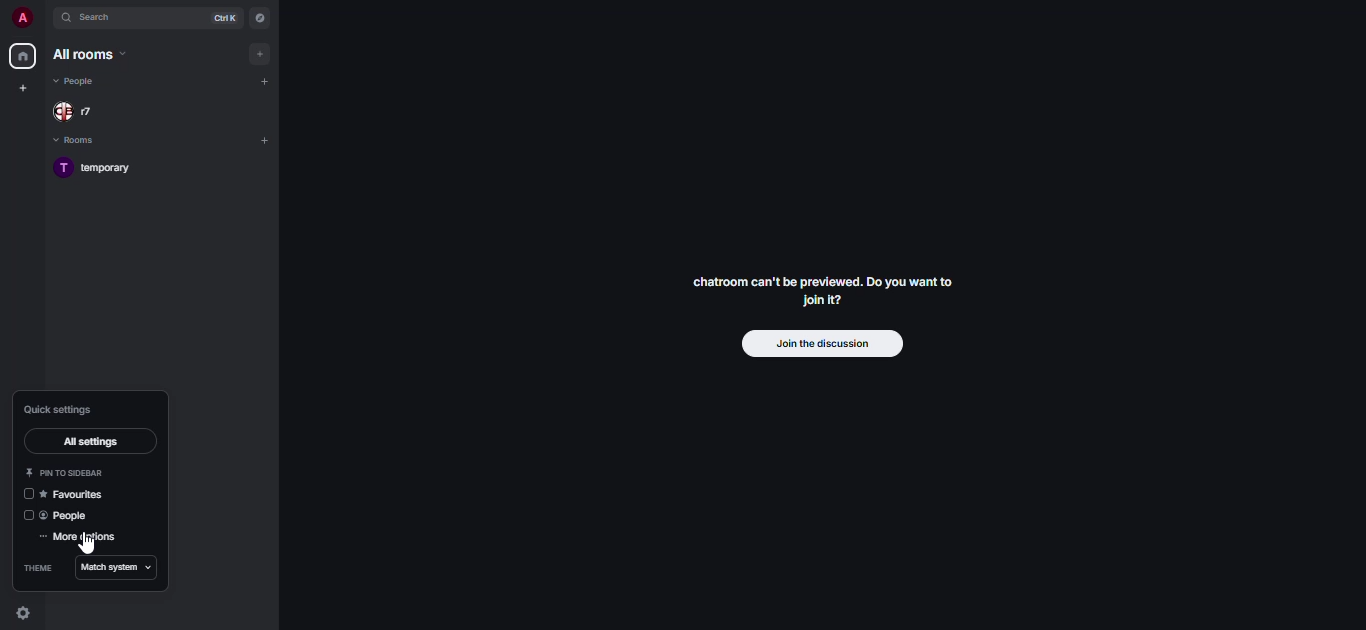 The image size is (1366, 630). Describe the element at coordinates (822, 342) in the screenshot. I see `join the discussion` at that location.